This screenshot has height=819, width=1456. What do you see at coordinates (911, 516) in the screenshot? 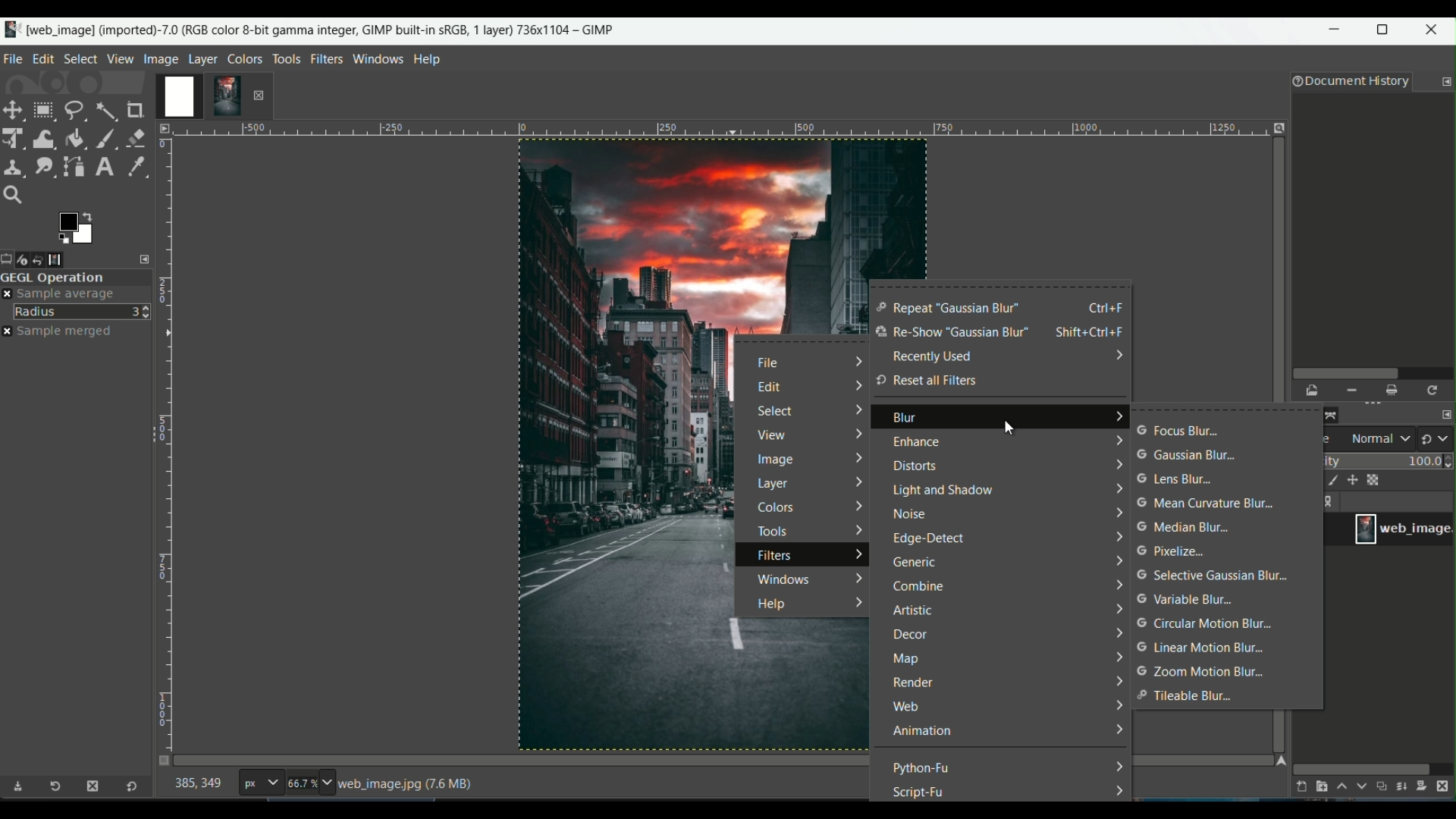
I see `noise` at bounding box center [911, 516].